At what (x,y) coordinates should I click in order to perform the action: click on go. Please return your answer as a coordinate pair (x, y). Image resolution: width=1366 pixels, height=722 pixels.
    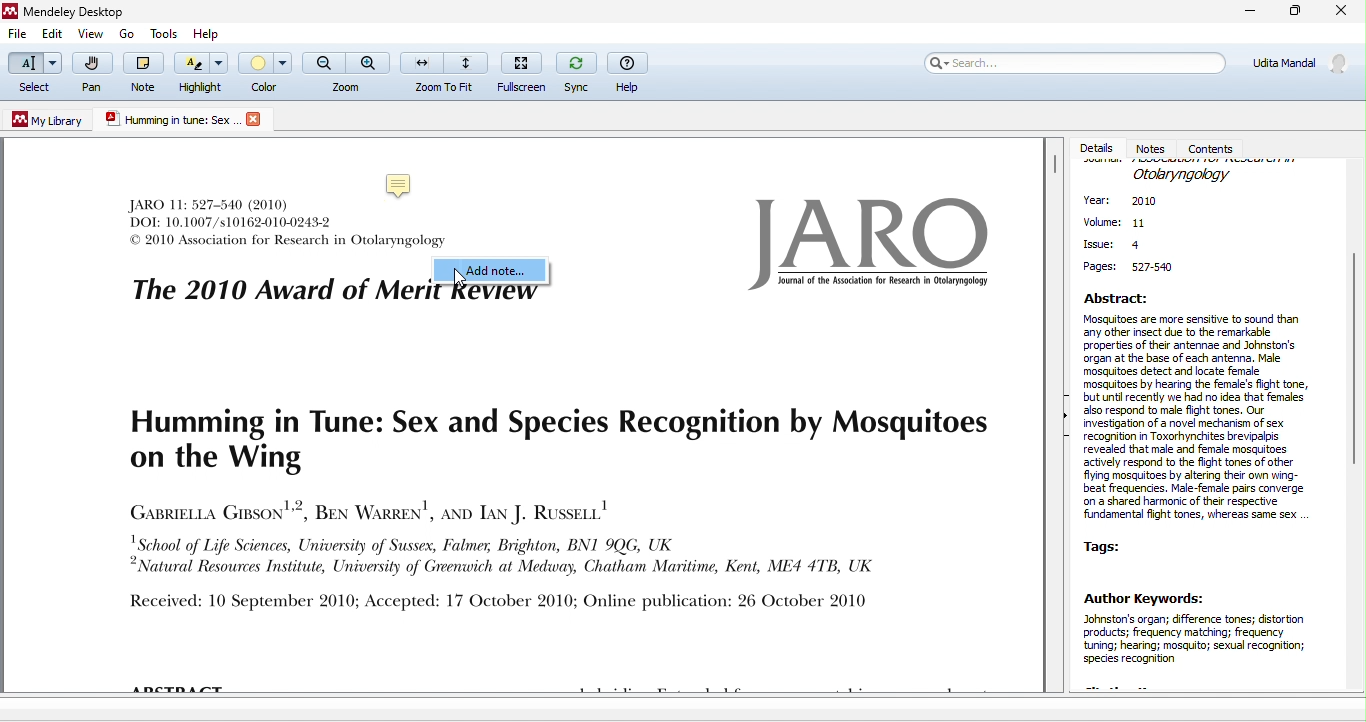
    Looking at the image, I should click on (125, 33).